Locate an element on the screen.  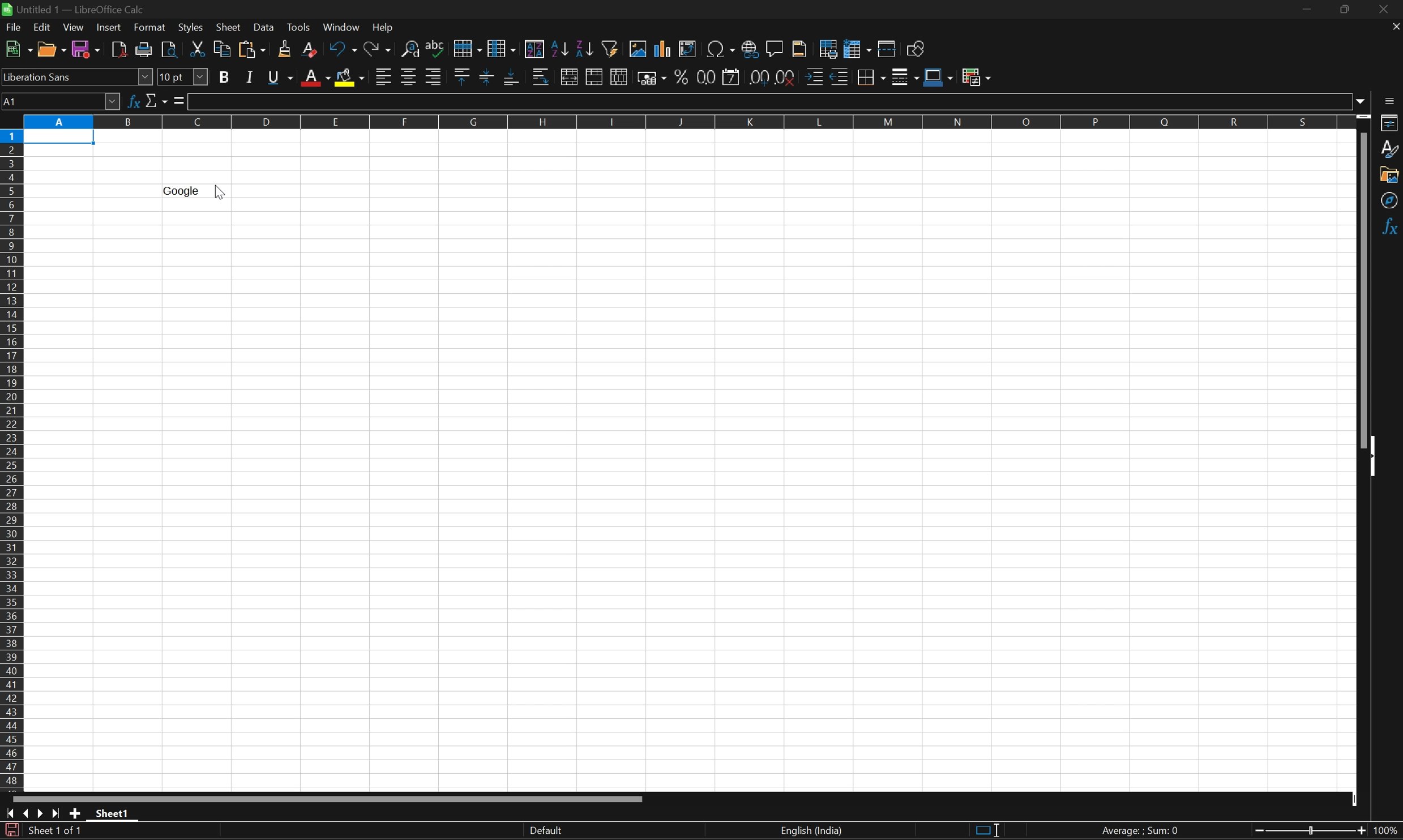
Print is located at coordinates (146, 50).